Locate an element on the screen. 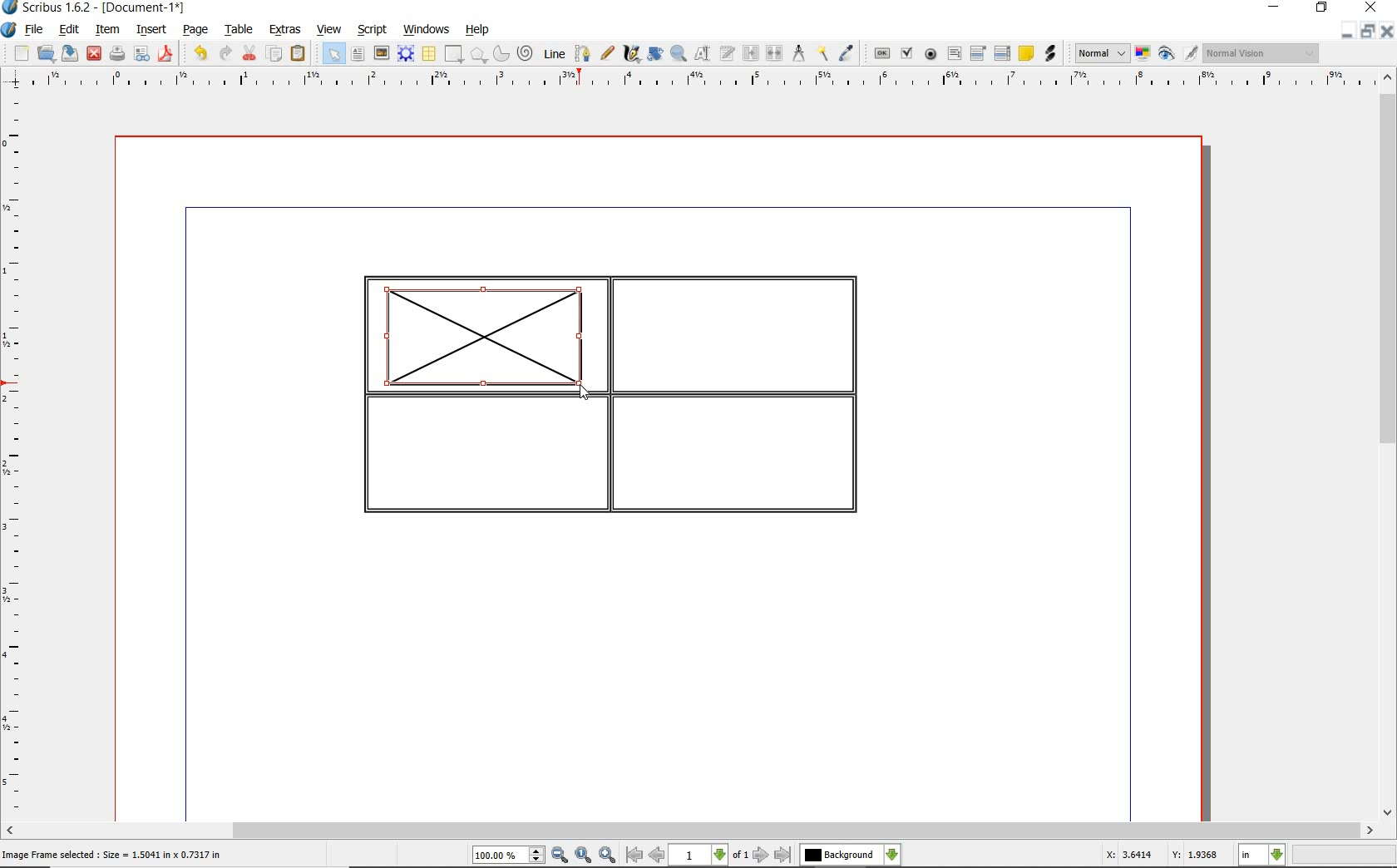 The height and width of the screenshot is (868, 1397). select is located at coordinates (336, 57).